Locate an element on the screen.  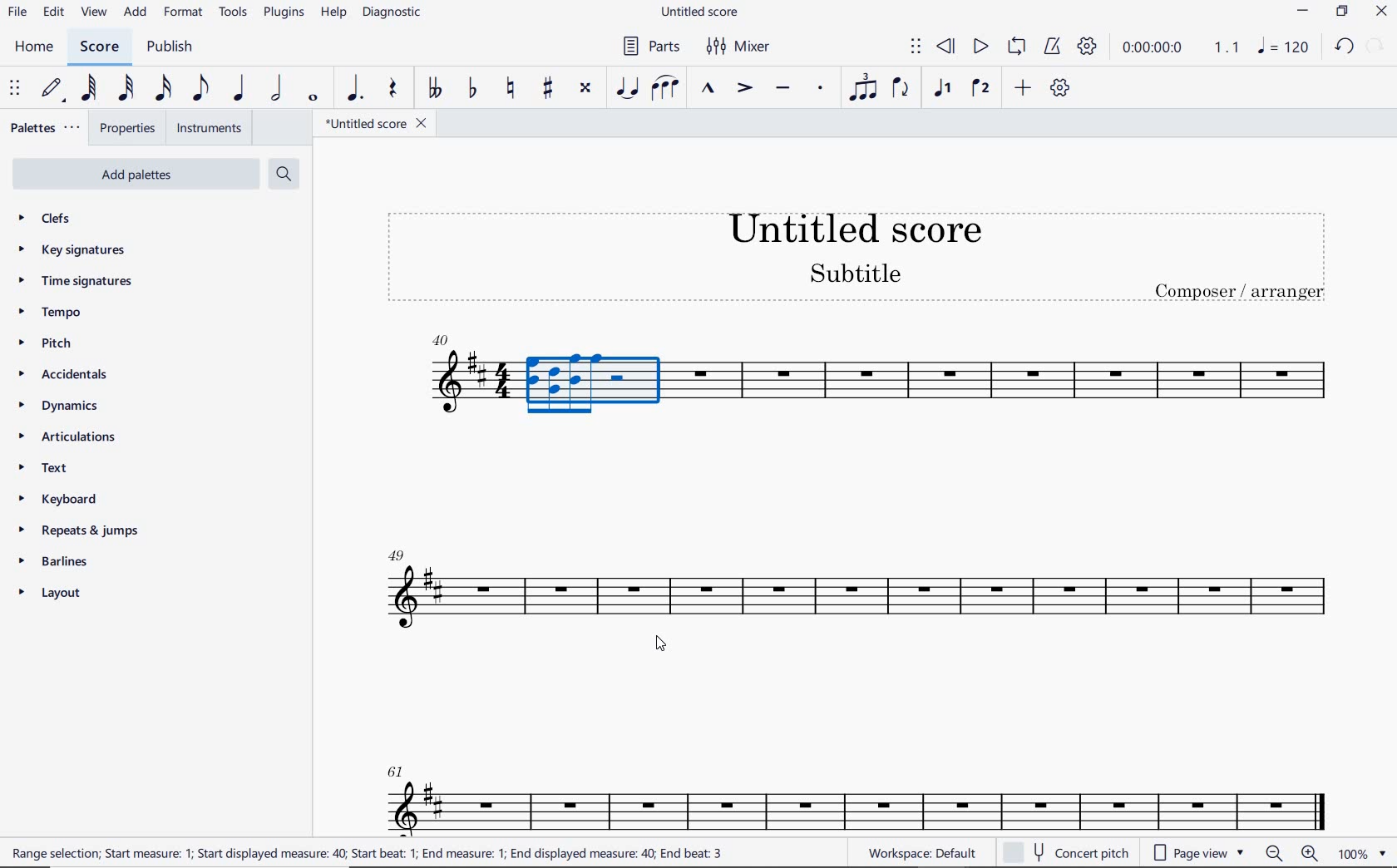
TUPLET is located at coordinates (865, 87).